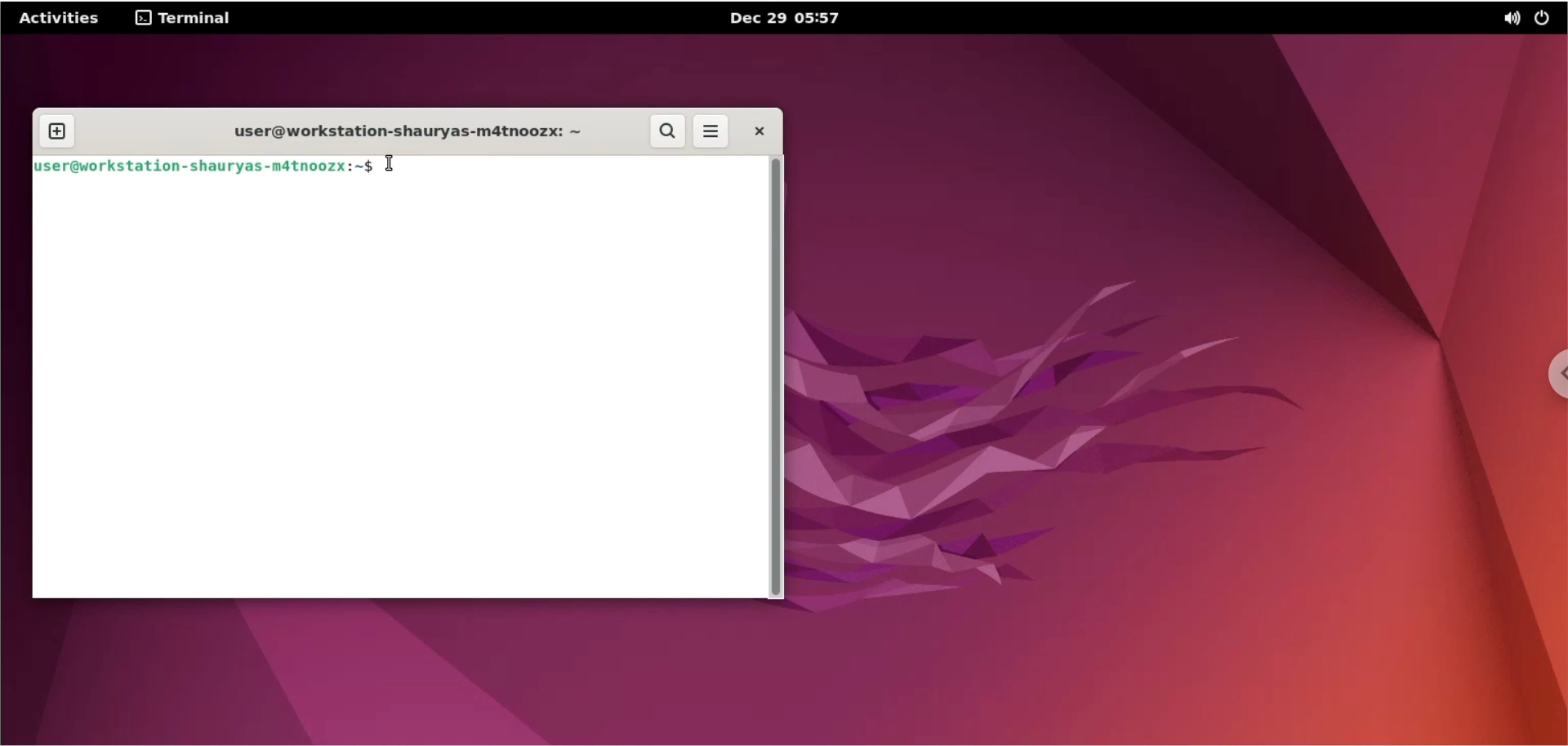 Image resolution: width=1568 pixels, height=746 pixels. I want to click on scrollbar navigation, so click(781, 378).